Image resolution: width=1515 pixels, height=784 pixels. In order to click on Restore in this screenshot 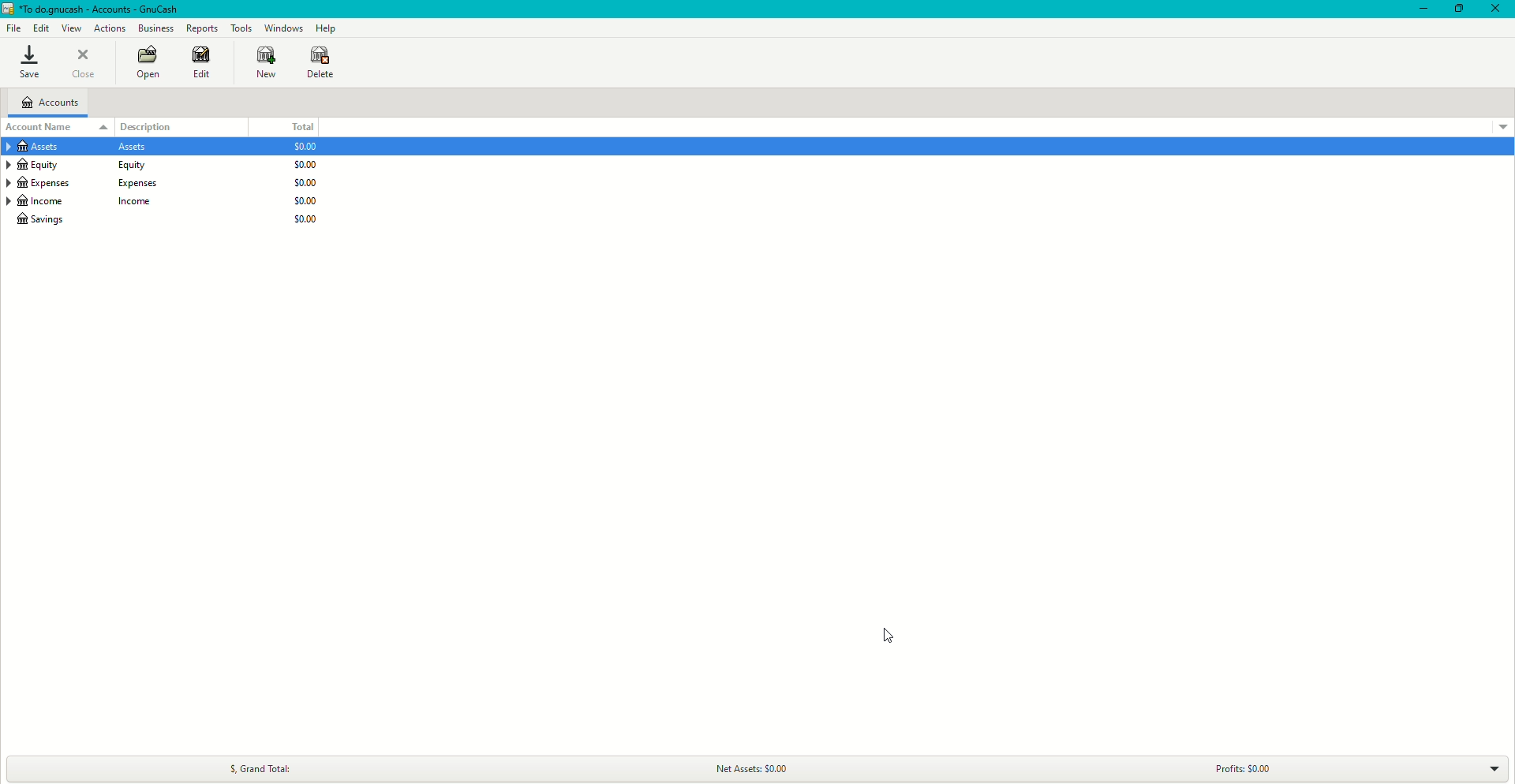, I will do `click(1457, 9)`.